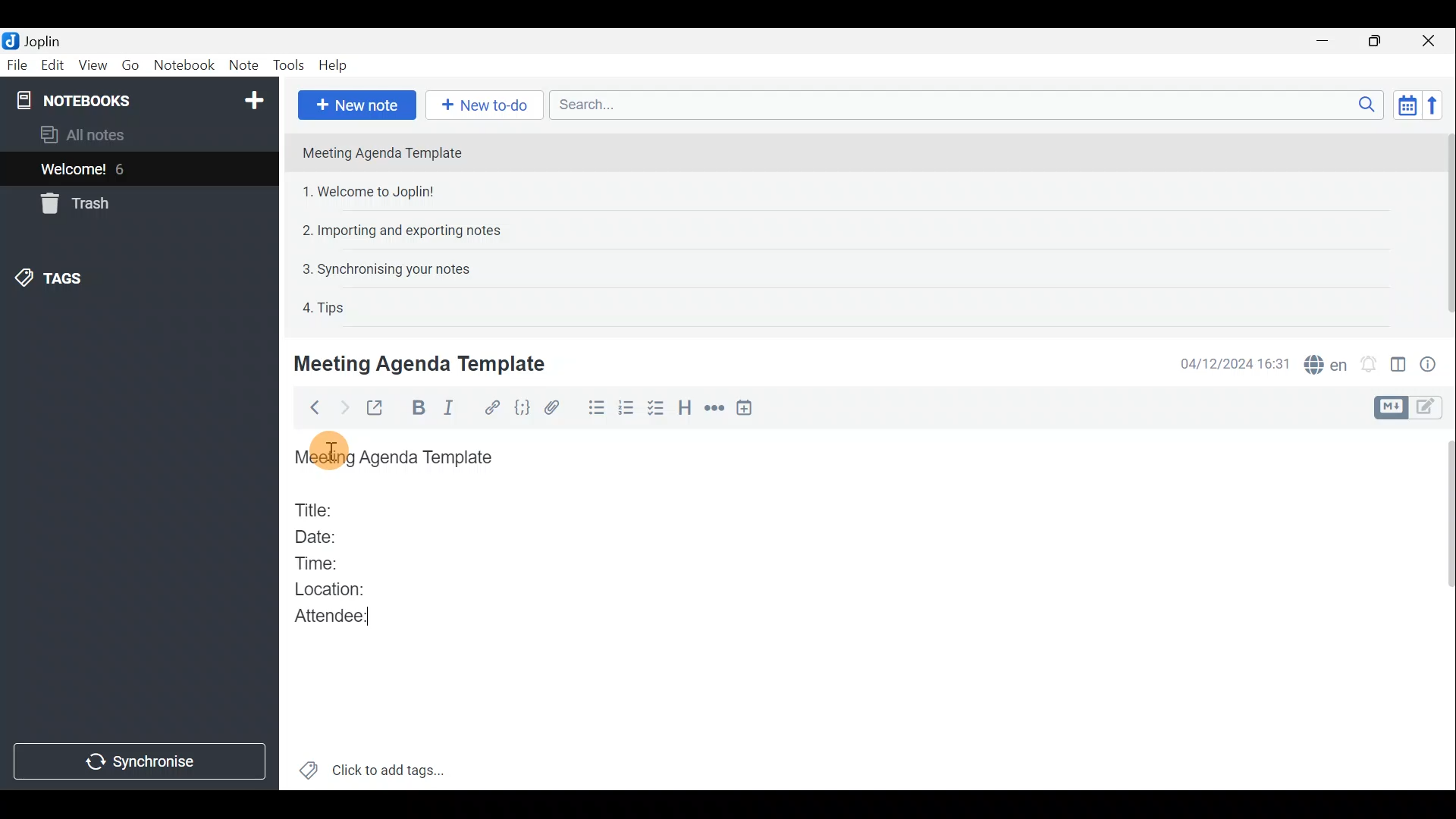  I want to click on Toggle editors, so click(1389, 408).